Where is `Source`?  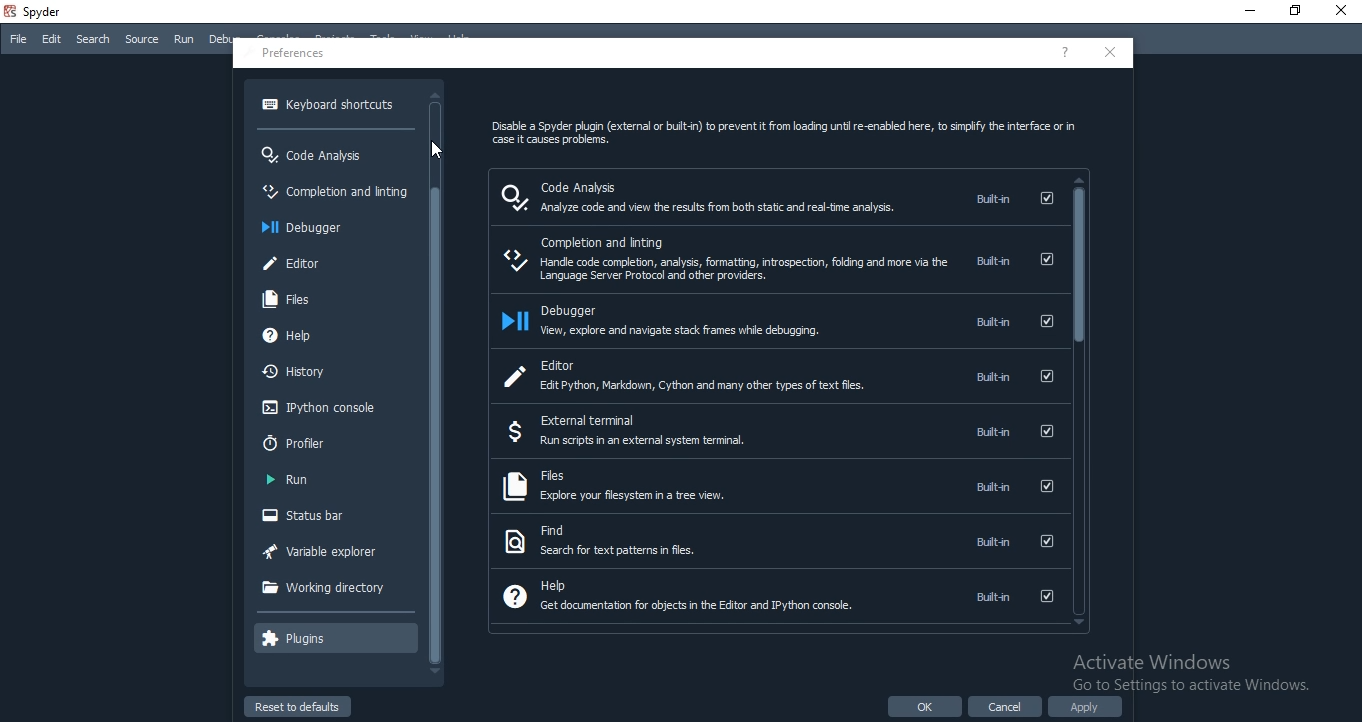
Source is located at coordinates (141, 39).